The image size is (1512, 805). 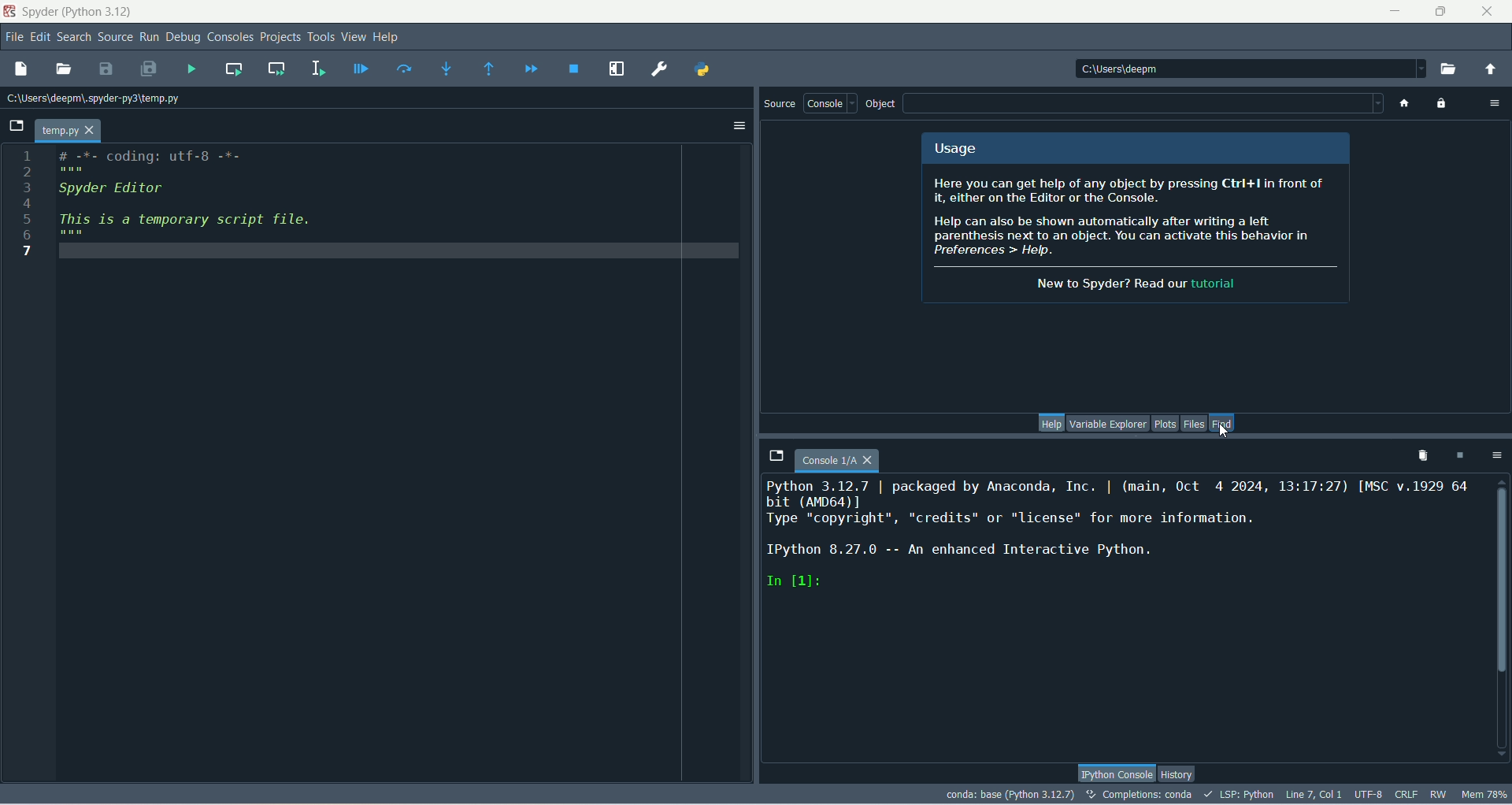 What do you see at coordinates (20, 69) in the screenshot?
I see `new` at bounding box center [20, 69].